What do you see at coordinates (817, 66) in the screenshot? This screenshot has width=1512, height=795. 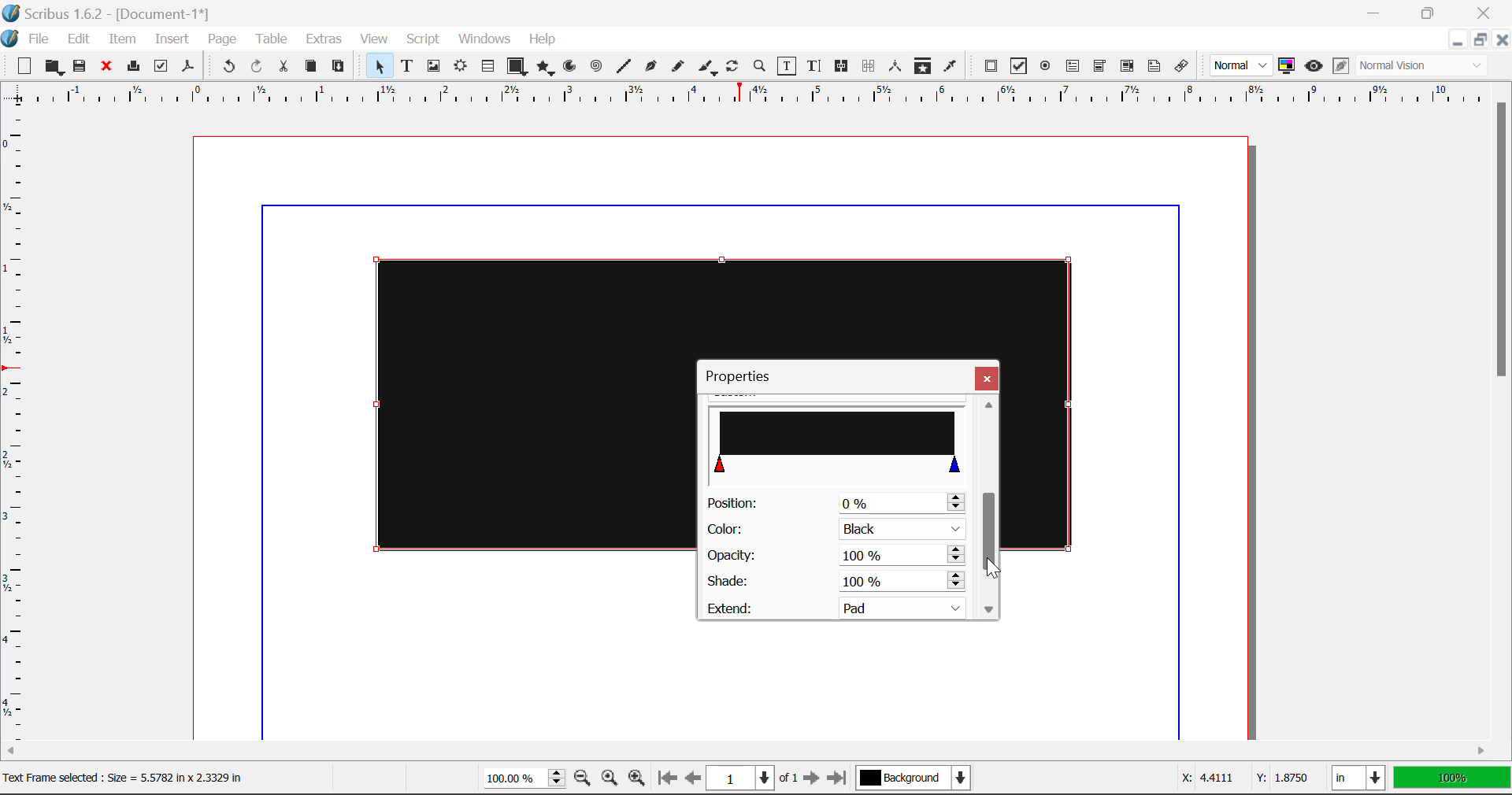 I see `Edit Text with Story Editor` at bounding box center [817, 66].